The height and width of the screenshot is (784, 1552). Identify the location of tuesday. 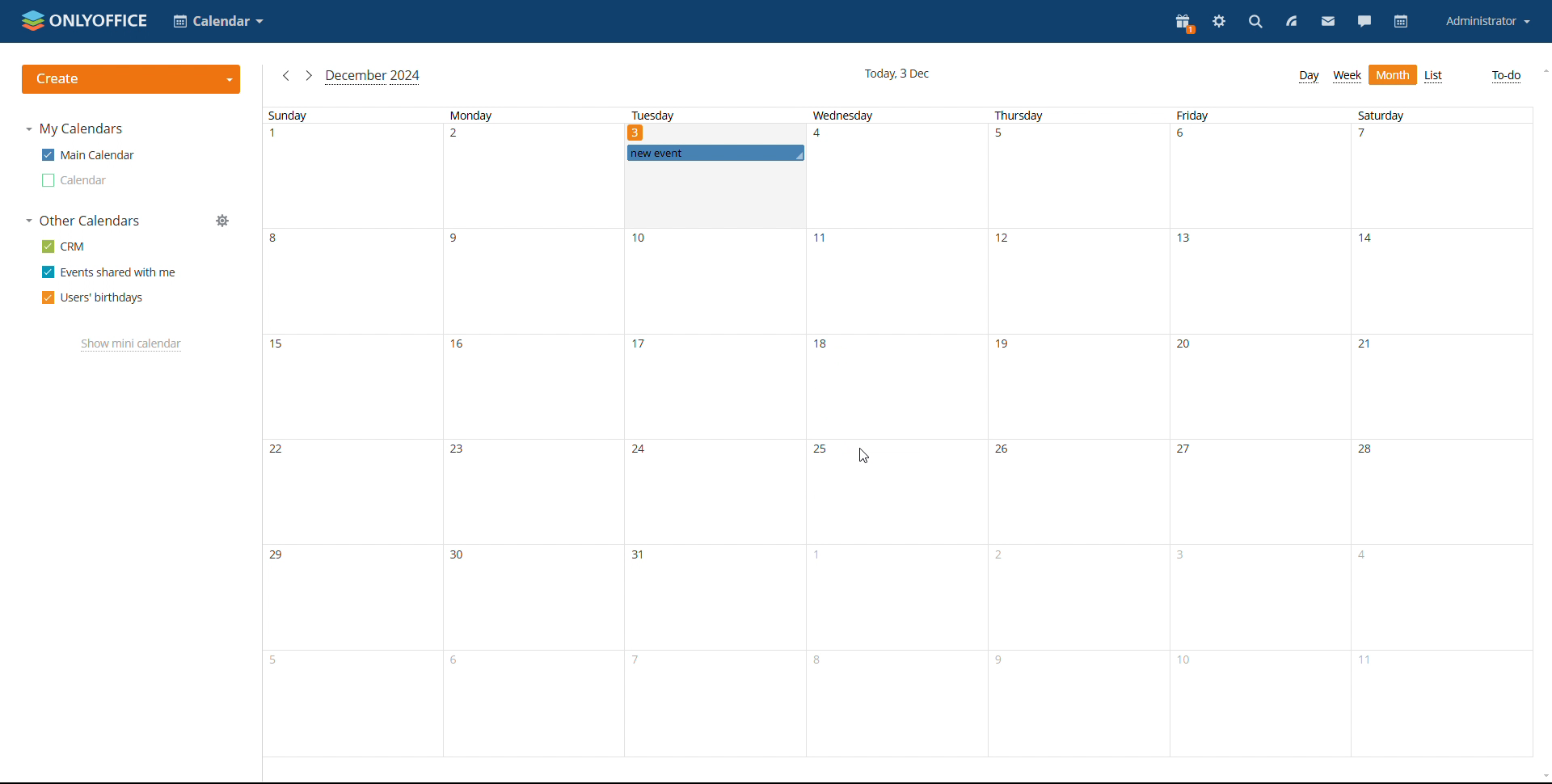
(656, 114).